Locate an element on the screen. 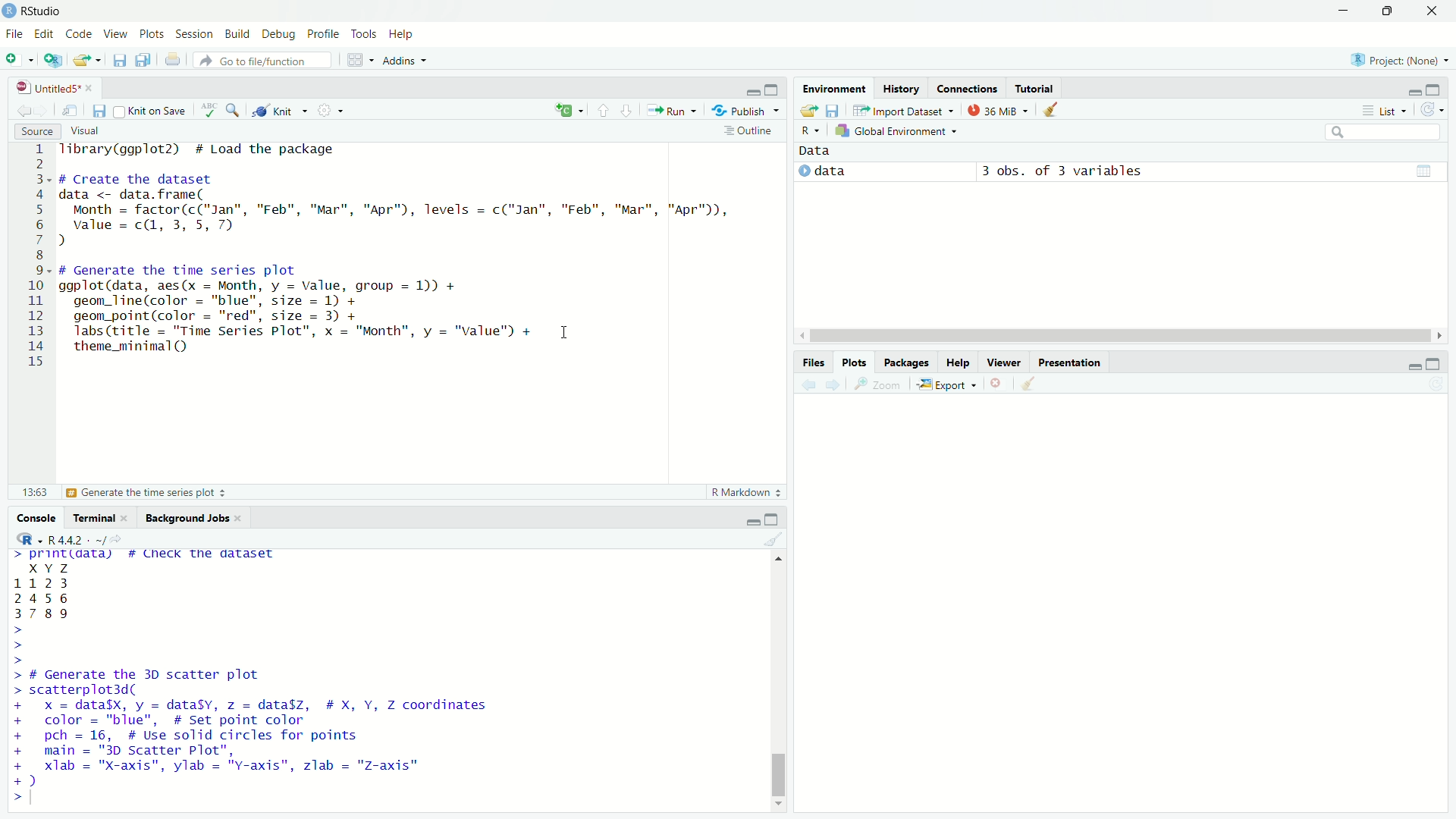  minimize is located at coordinates (1413, 366).